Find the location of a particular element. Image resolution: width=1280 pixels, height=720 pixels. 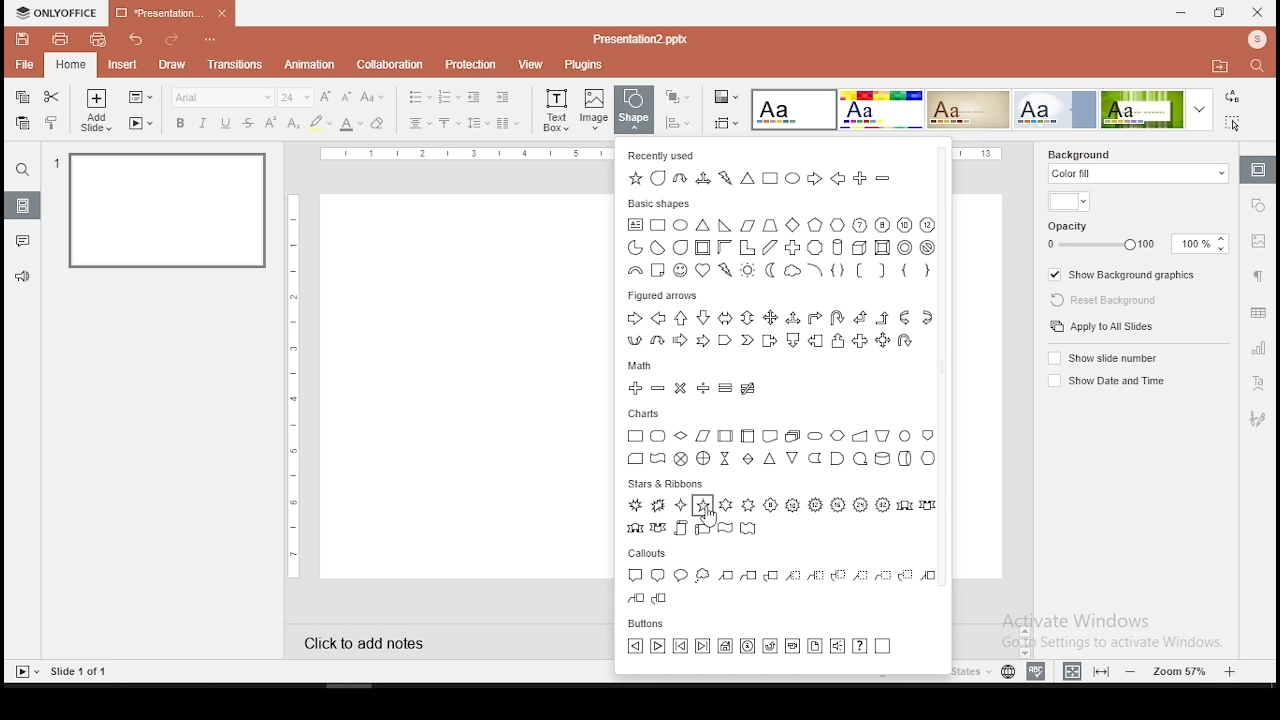

zoom out is located at coordinates (1134, 671).